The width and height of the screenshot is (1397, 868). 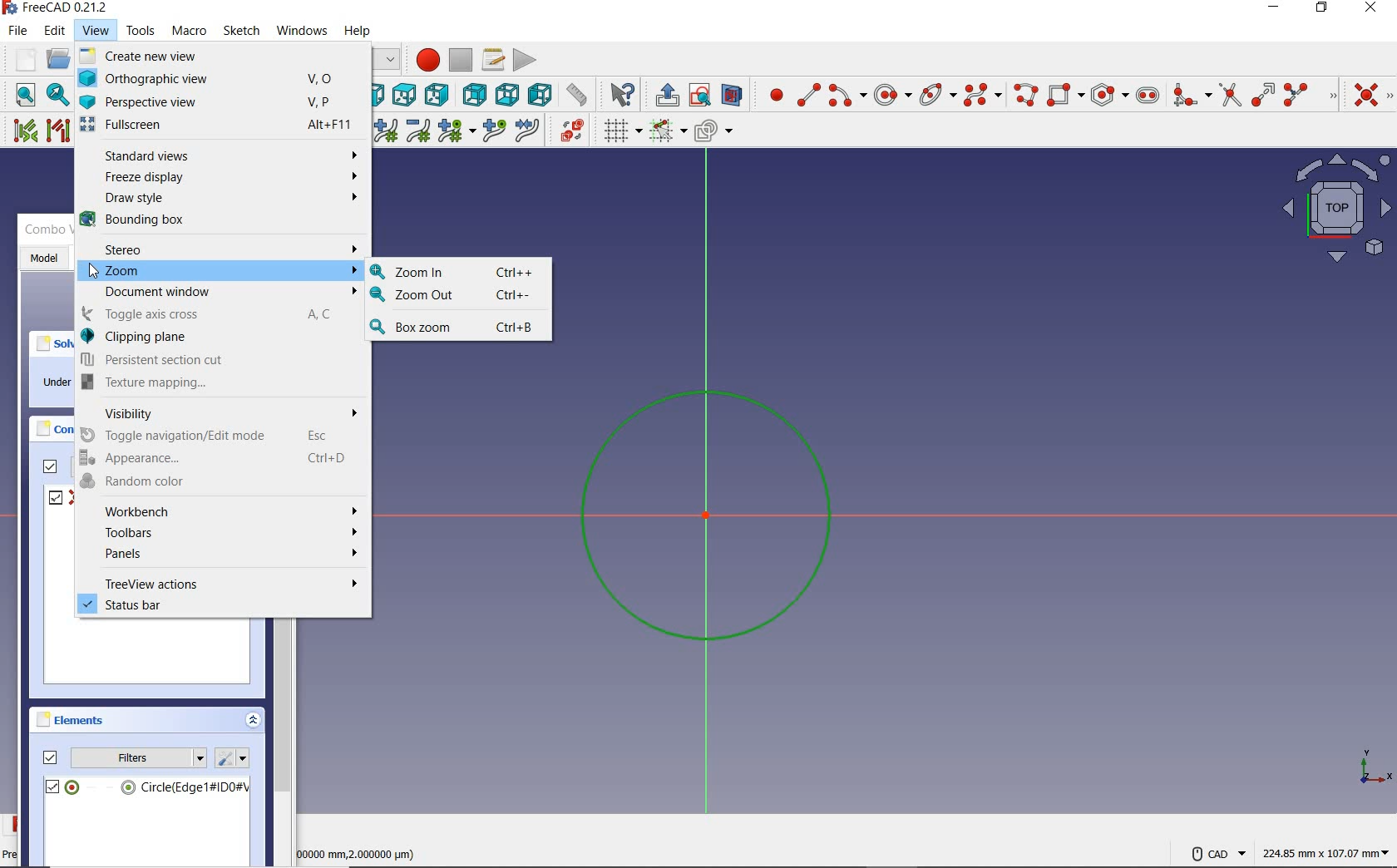 I want to click on create arc, so click(x=847, y=96).